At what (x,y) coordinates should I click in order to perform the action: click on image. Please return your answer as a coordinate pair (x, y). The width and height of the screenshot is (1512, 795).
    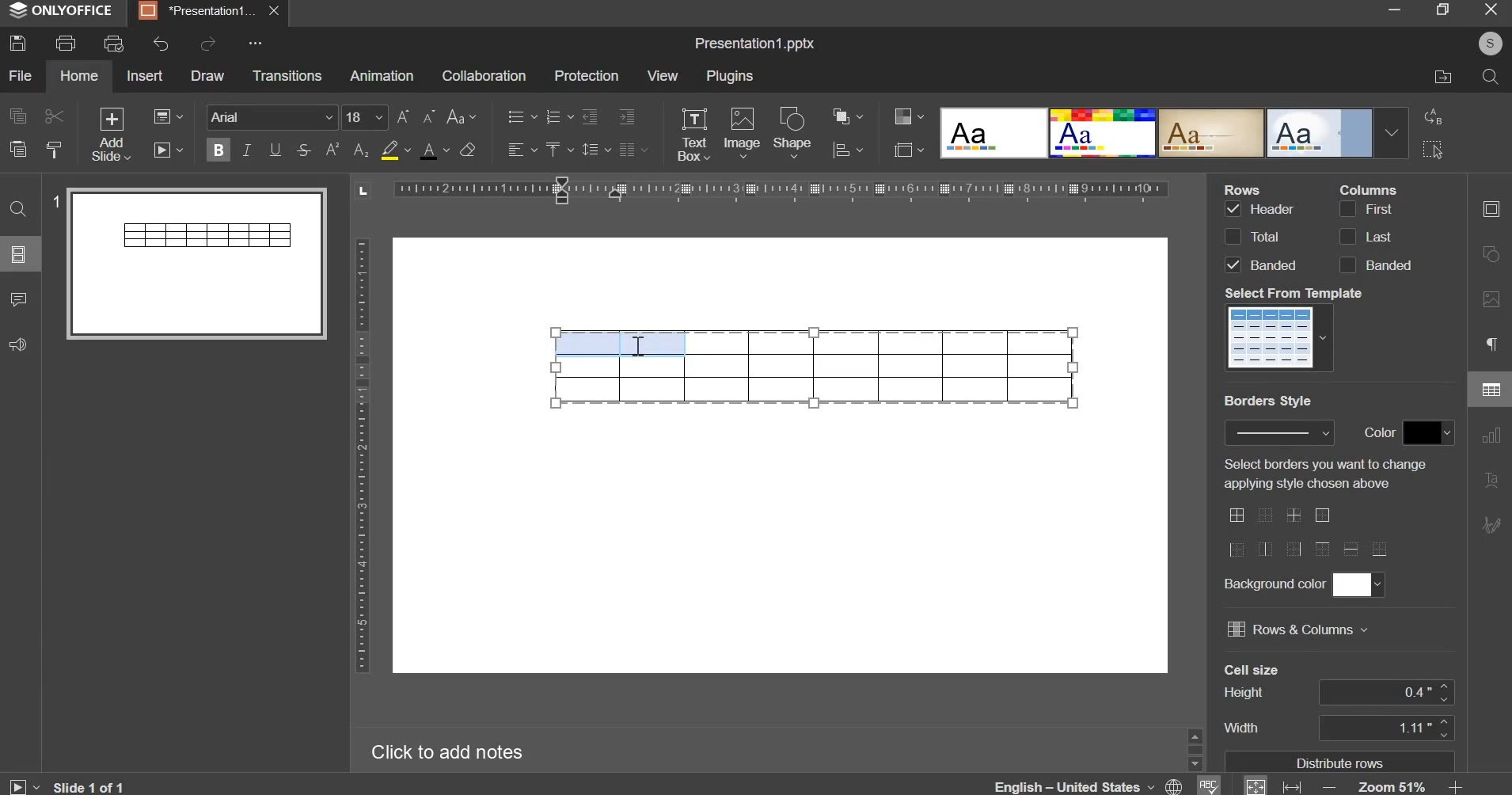
    Looking at the image, I should click on (742, 131).